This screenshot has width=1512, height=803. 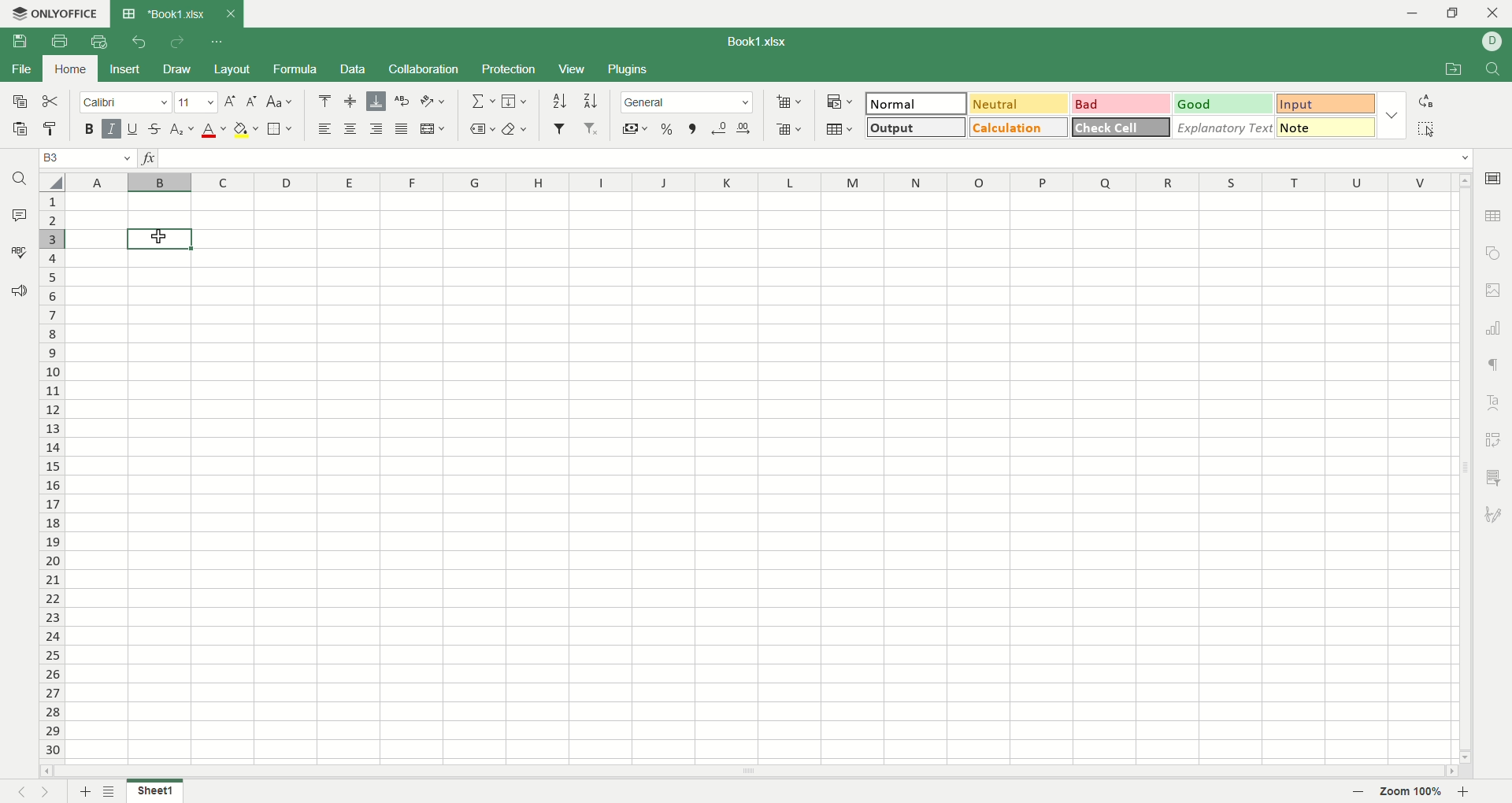 I want to click on decrease font size, so click(x=252, y=102).